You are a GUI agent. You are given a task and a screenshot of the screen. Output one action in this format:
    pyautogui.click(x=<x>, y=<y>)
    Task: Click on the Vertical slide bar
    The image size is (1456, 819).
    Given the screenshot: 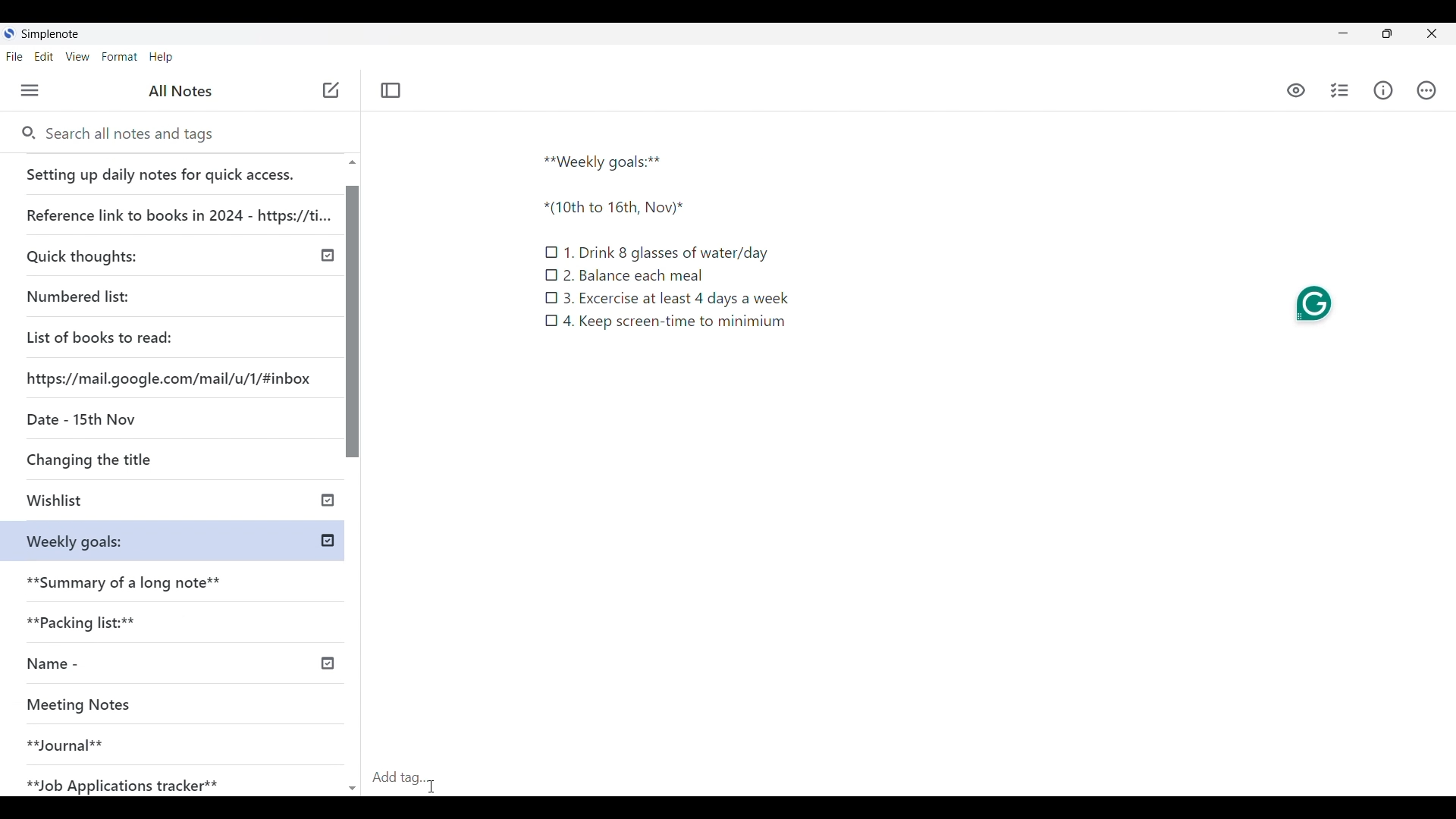 What is the action you would take?
    pyautogui.click(x=354, y=482)
    